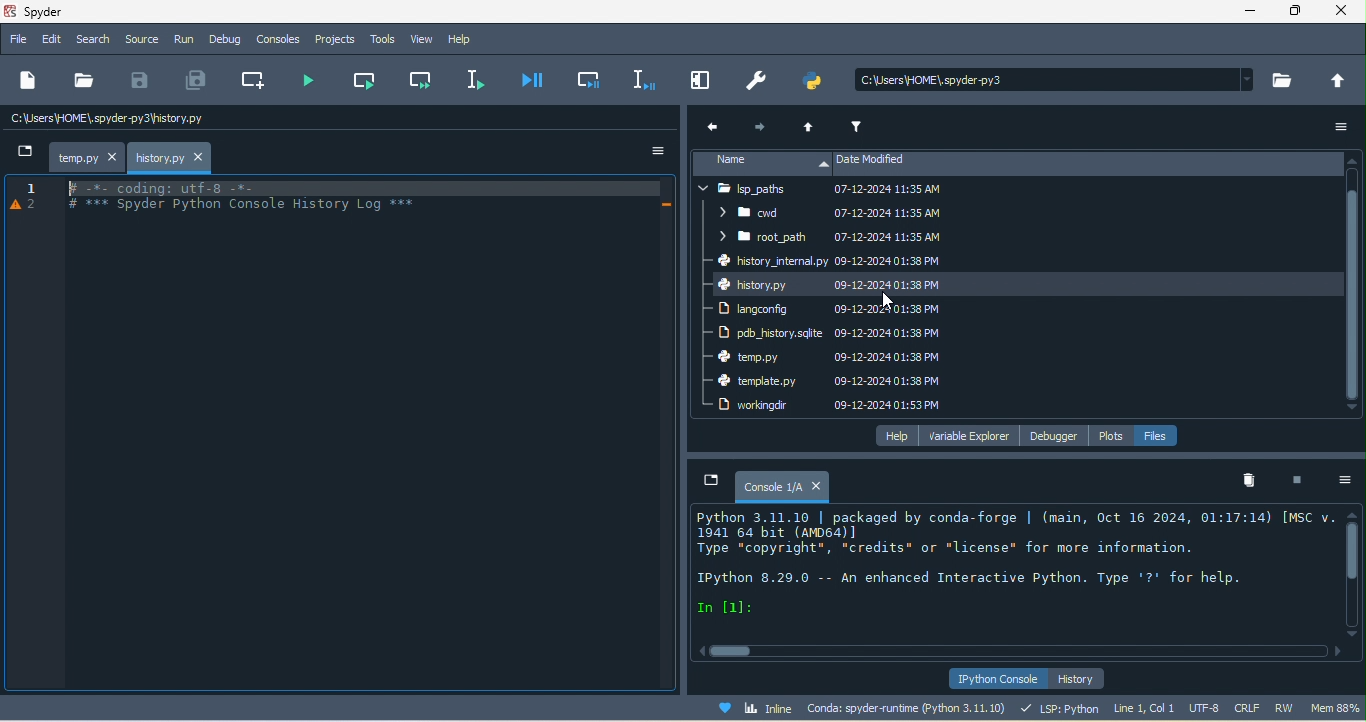  I want to click on temp.py, so click(67, 156).